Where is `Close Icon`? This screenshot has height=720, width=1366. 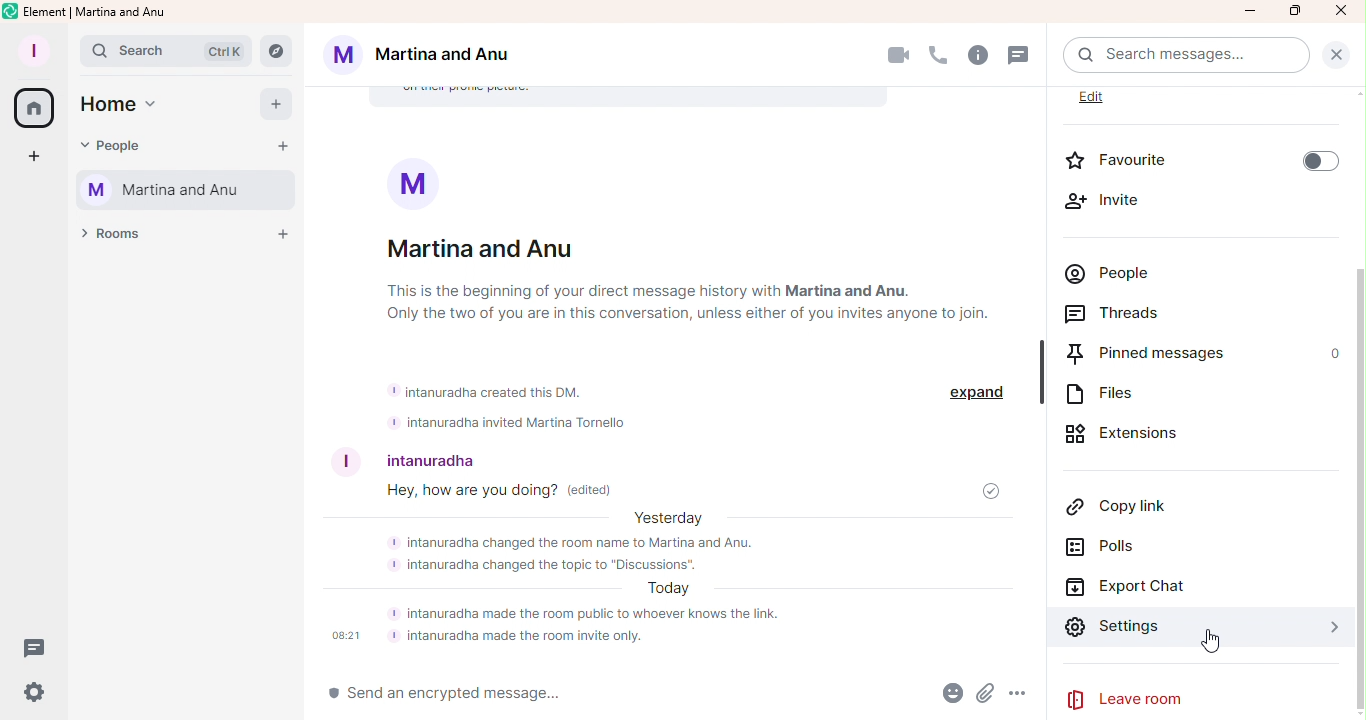
Close Icon is located at coordinates (1342, 12).